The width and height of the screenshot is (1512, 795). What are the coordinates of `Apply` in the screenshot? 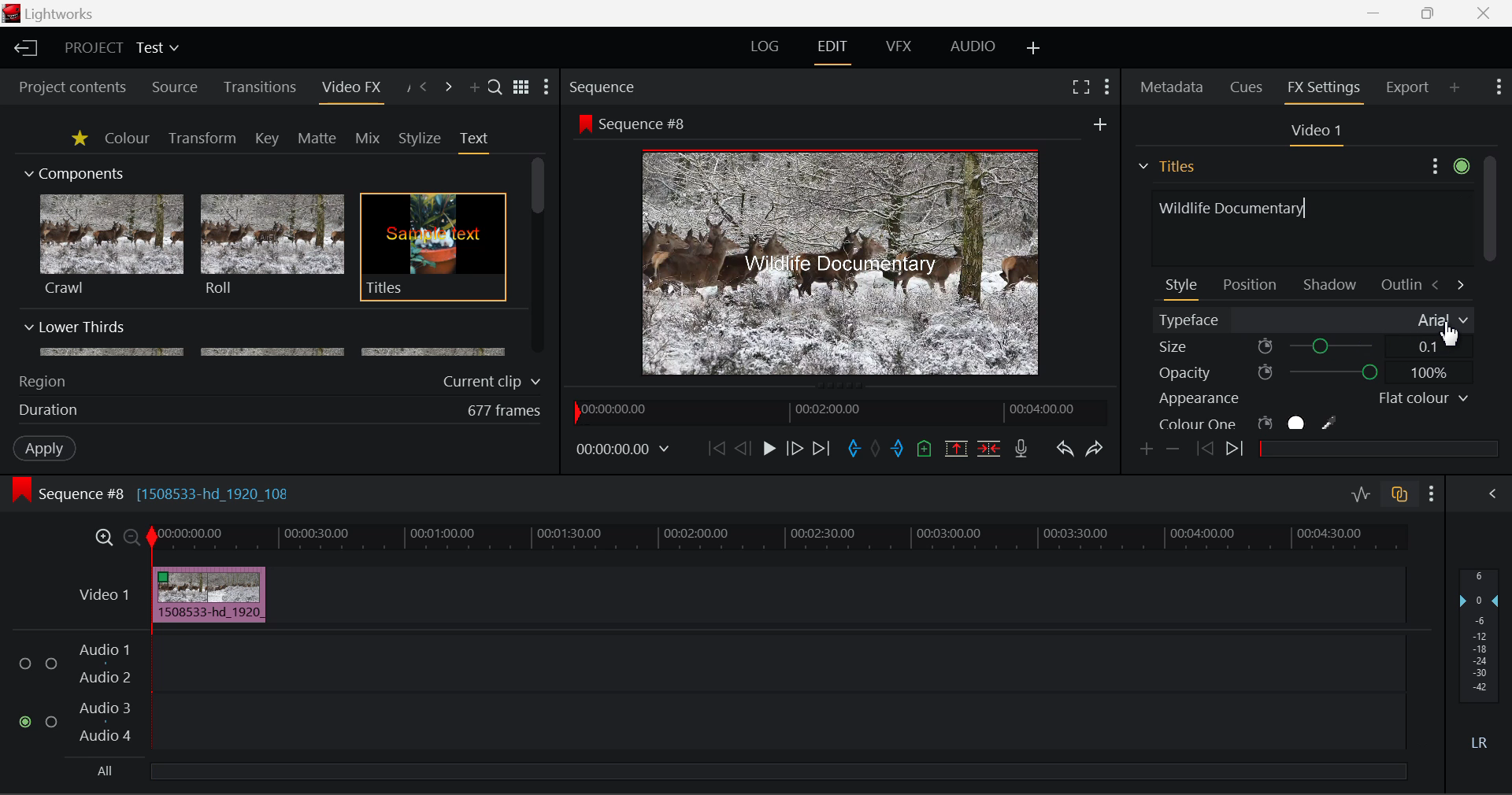 It's located at (46, 447).